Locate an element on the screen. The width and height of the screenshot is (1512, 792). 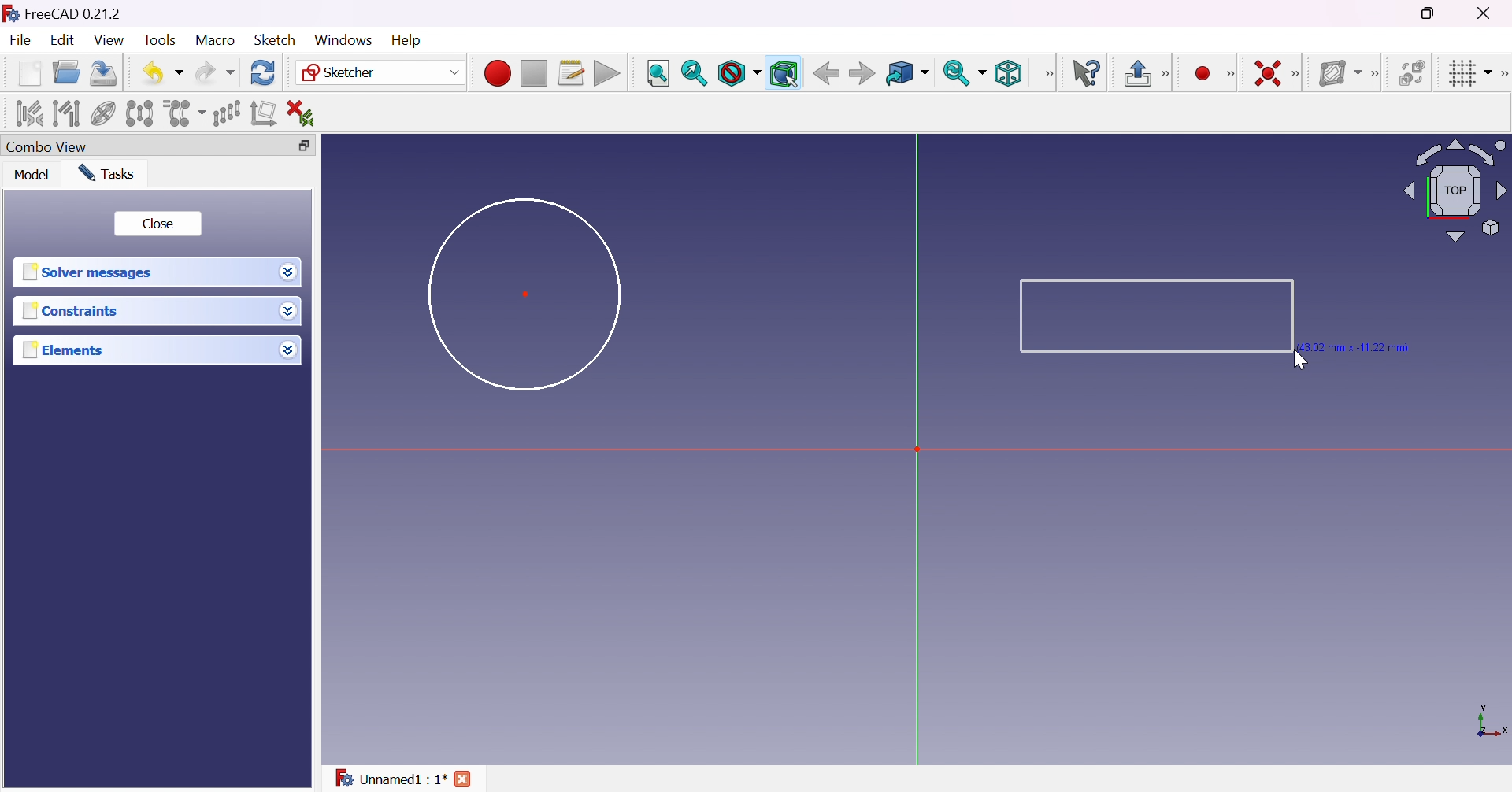
Clone is located at coordinates (183, 112).